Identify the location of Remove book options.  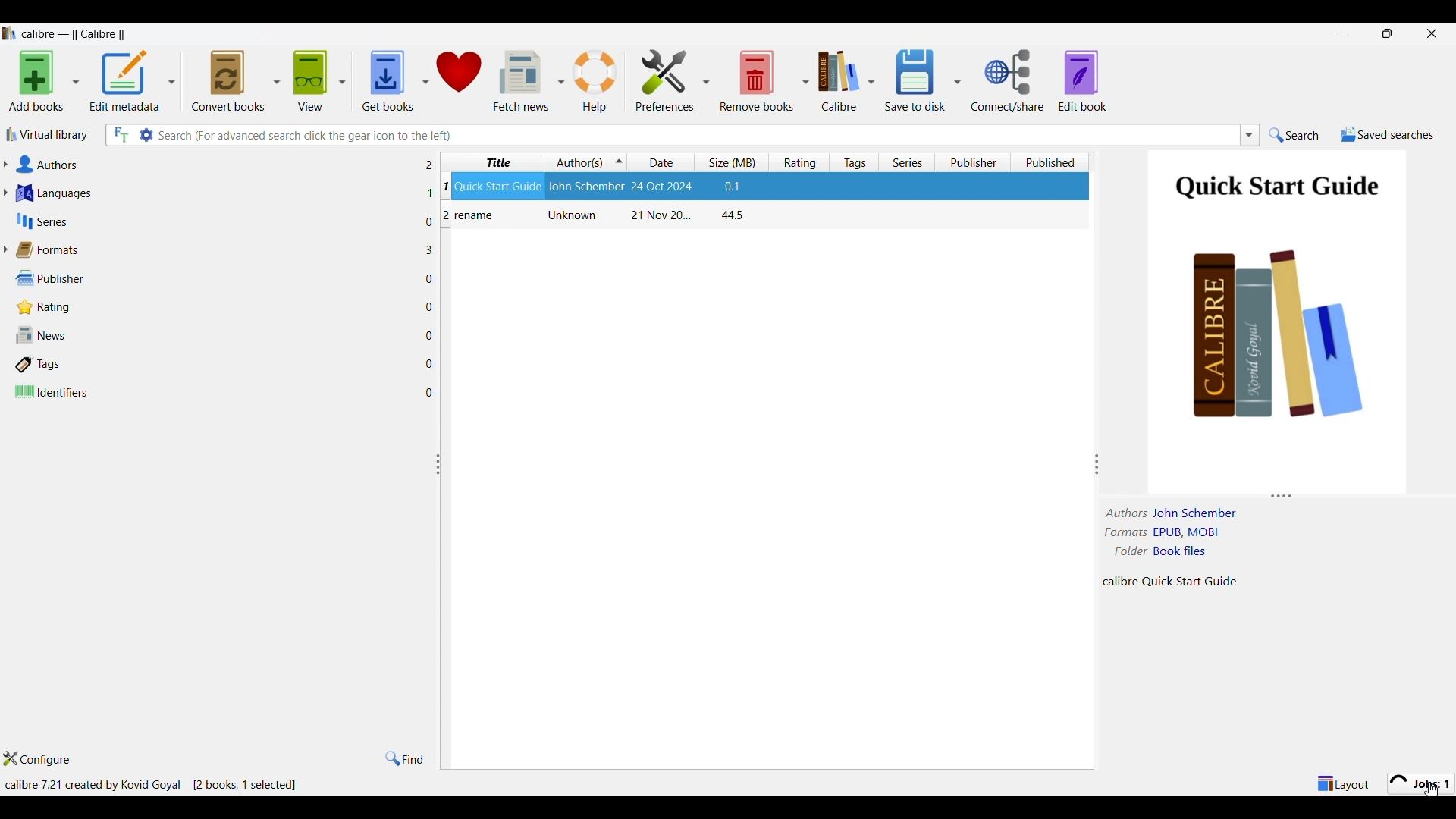
(805, 82).